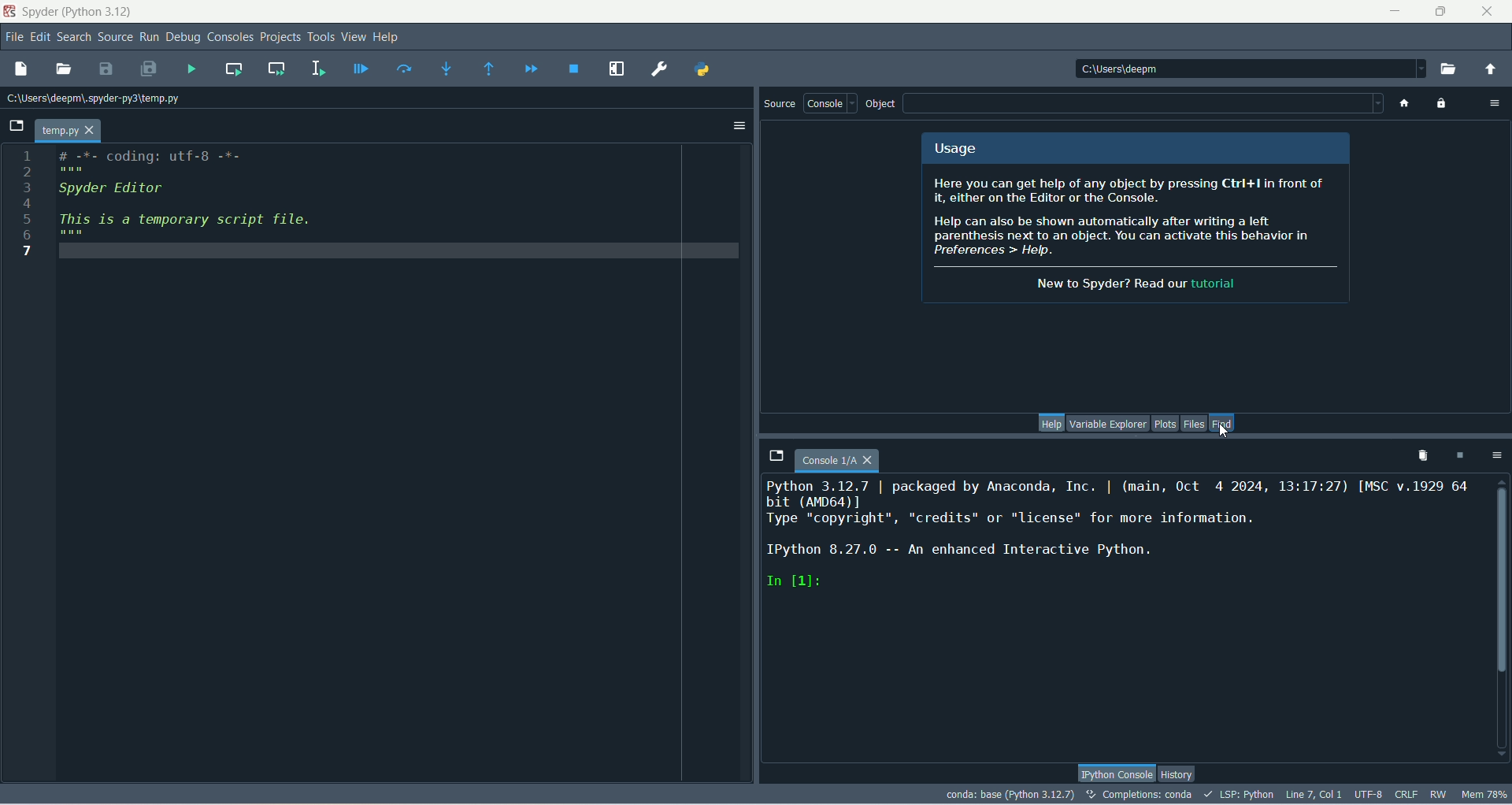 This screenshot has height=805, width=1512. I want to click on consoles, so click(231, 36).